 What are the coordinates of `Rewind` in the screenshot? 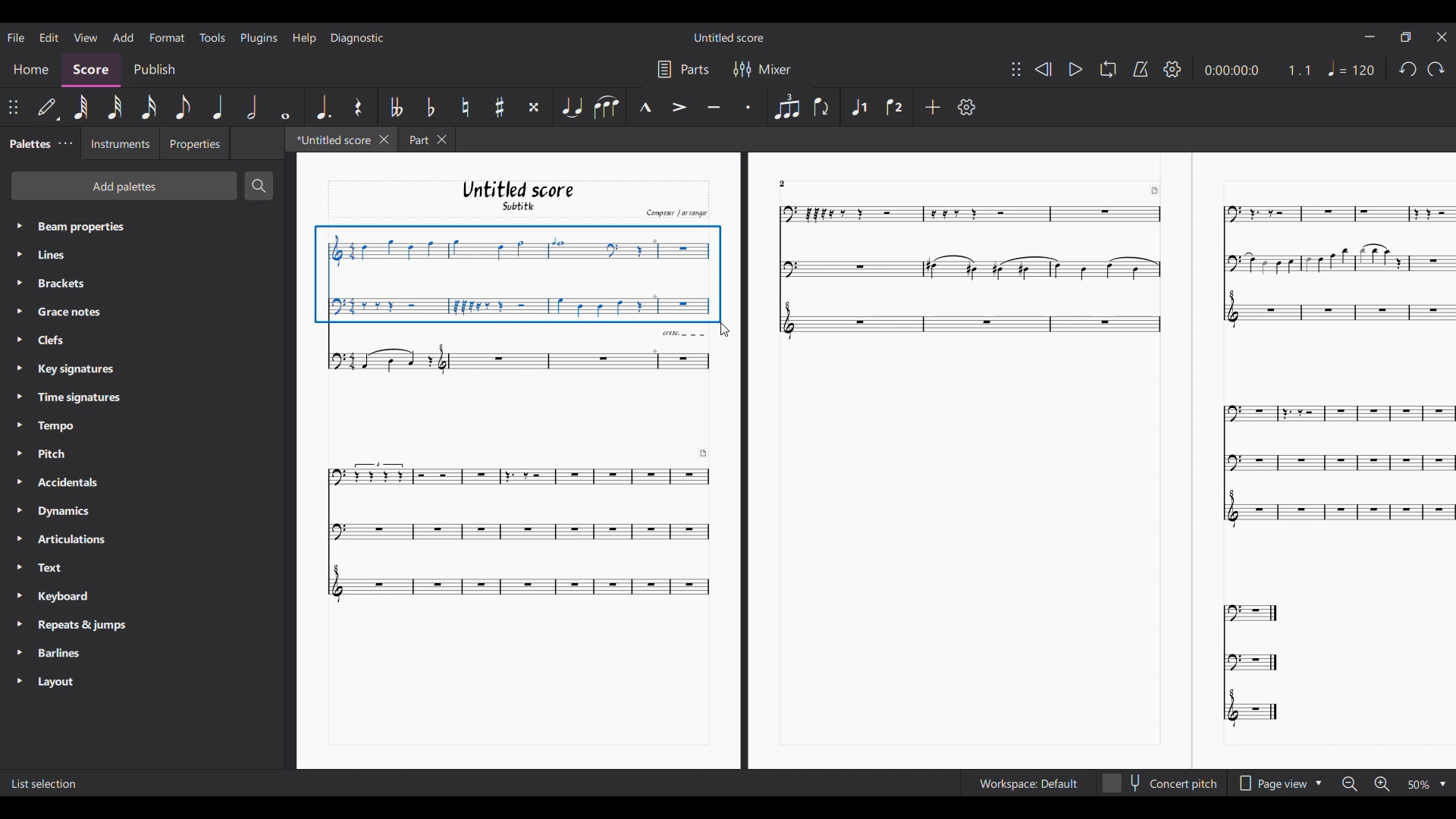 It's located at (1043, 69).